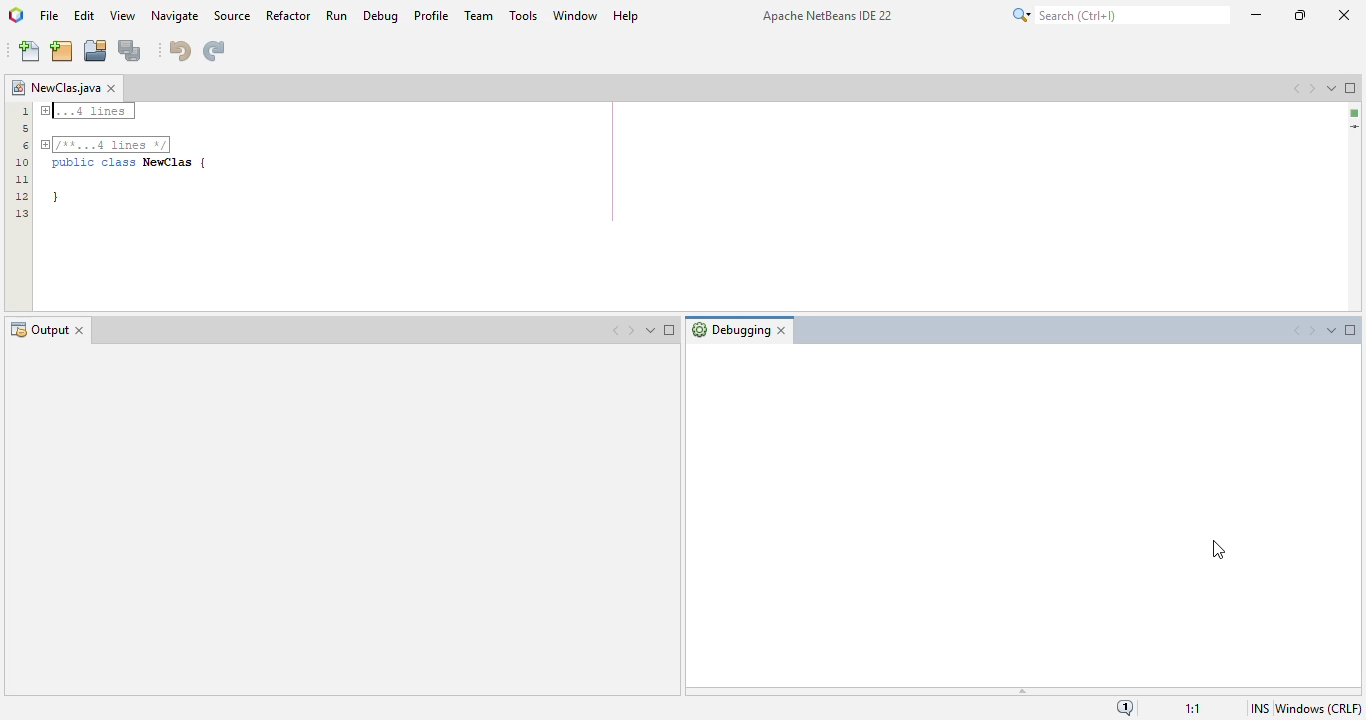  I want to click on new file, so click(30, 52).